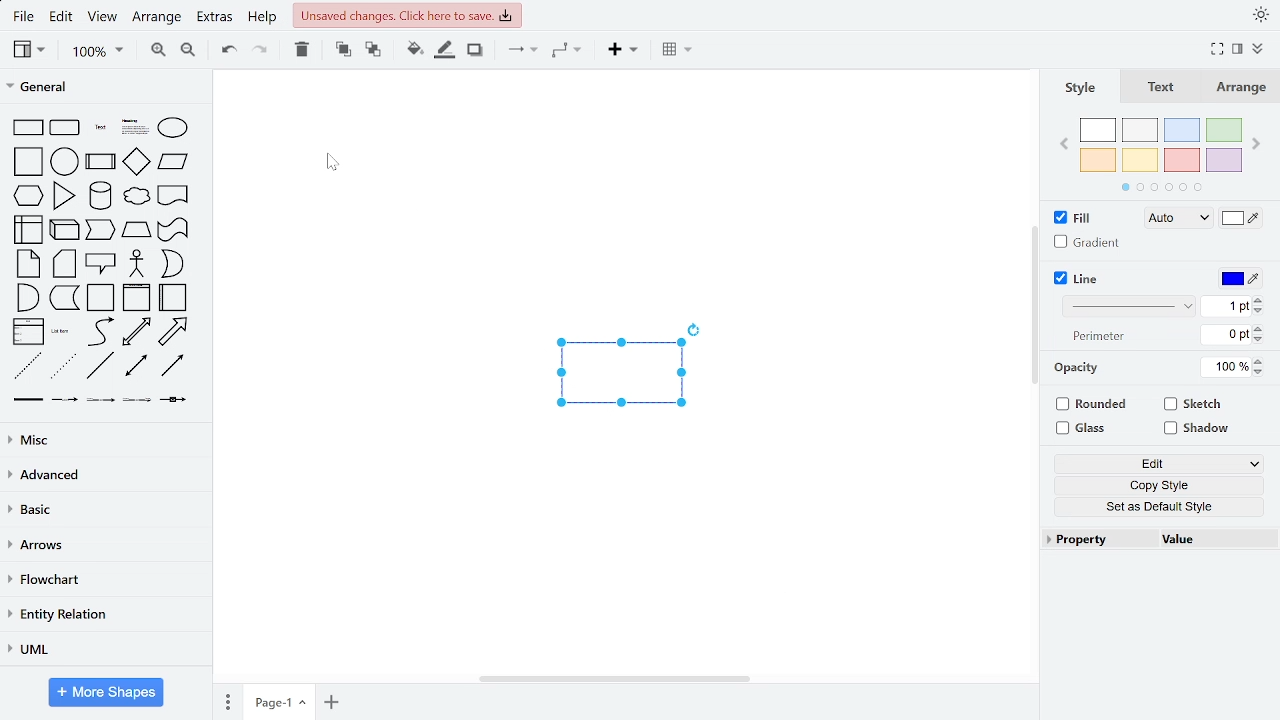 This screenshot has height=720, width=1280. I want to click on arrows, so click(104, 548).